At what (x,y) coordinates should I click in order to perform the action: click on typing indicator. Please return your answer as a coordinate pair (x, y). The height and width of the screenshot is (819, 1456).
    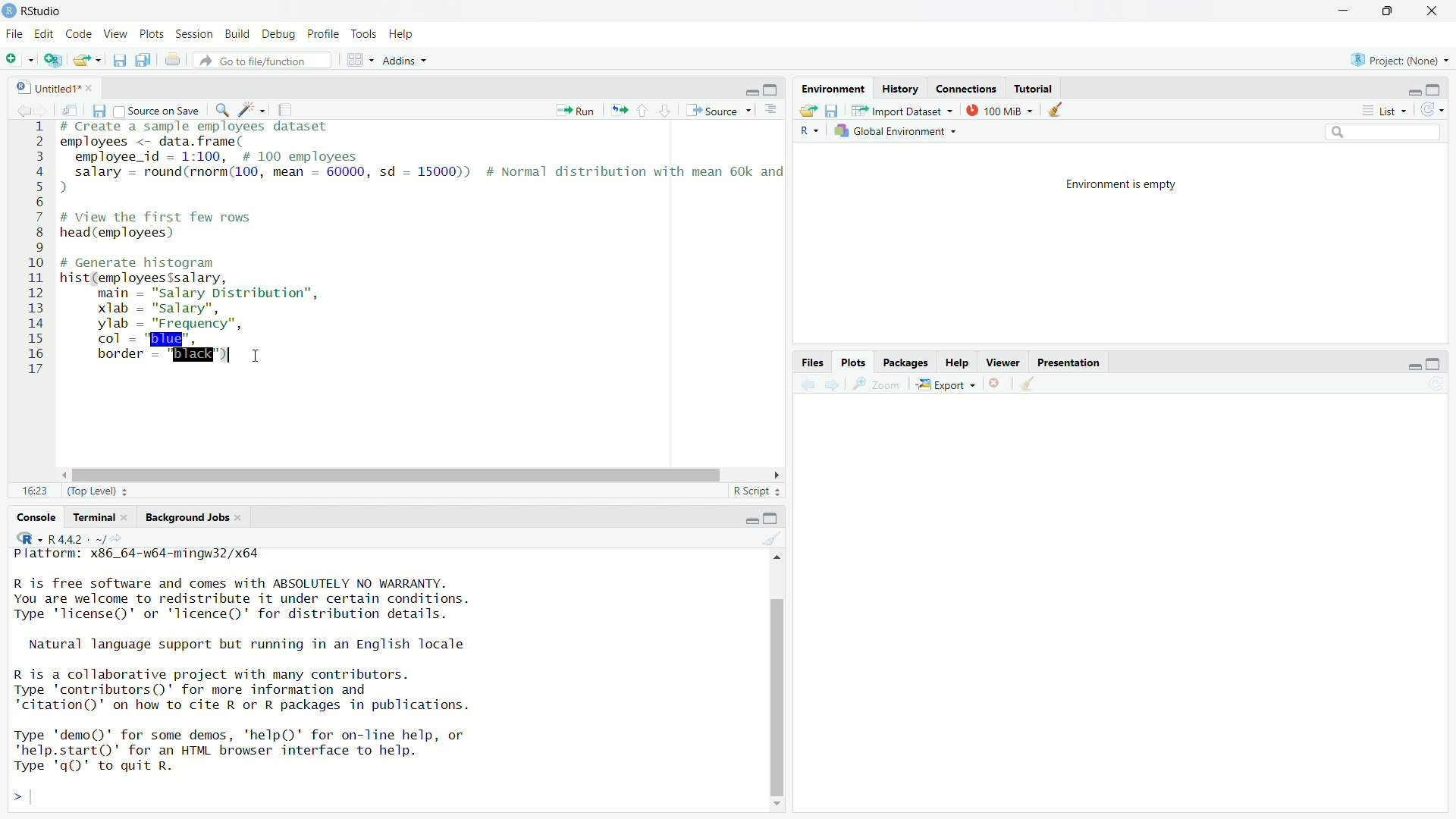
    Looking at the image, I should click on (232, 356).